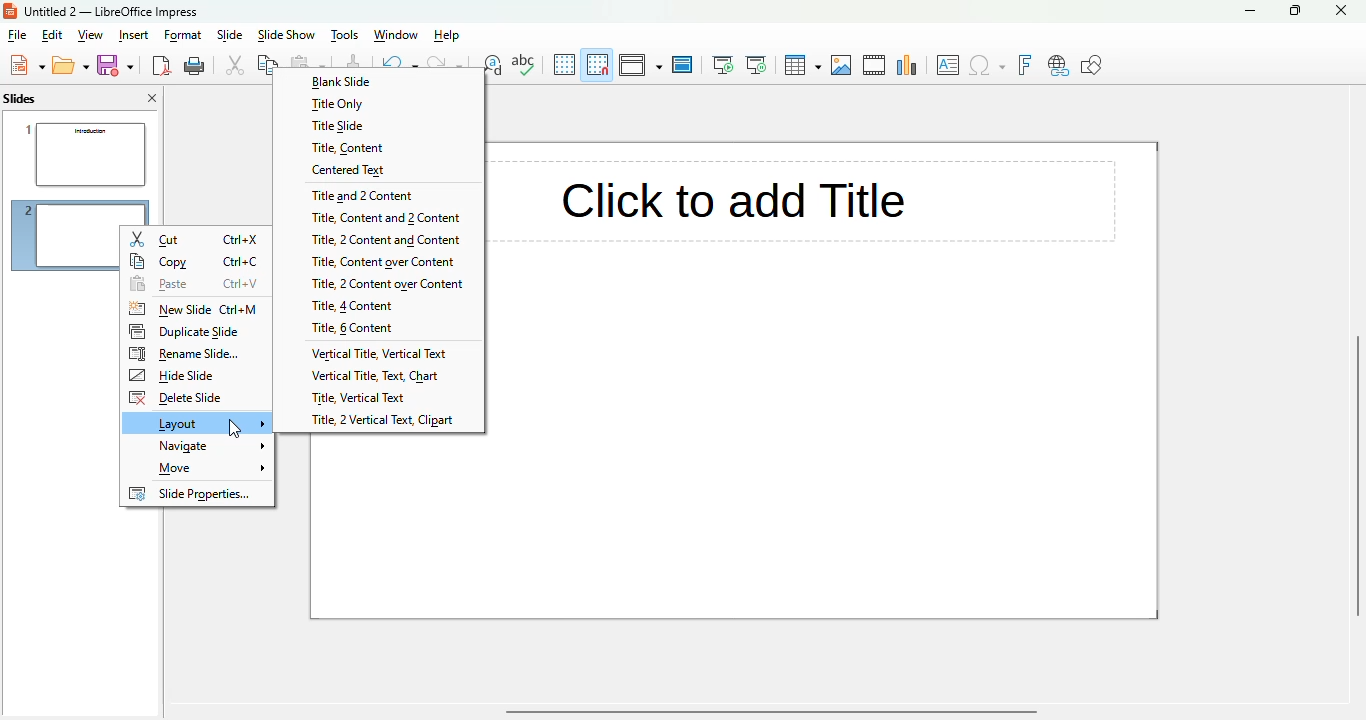 This screenshot has height=720, width=1366. What do you see at coordinates (394, 35) in the screenshot?
I see `window` at bounding box center [394, 35].